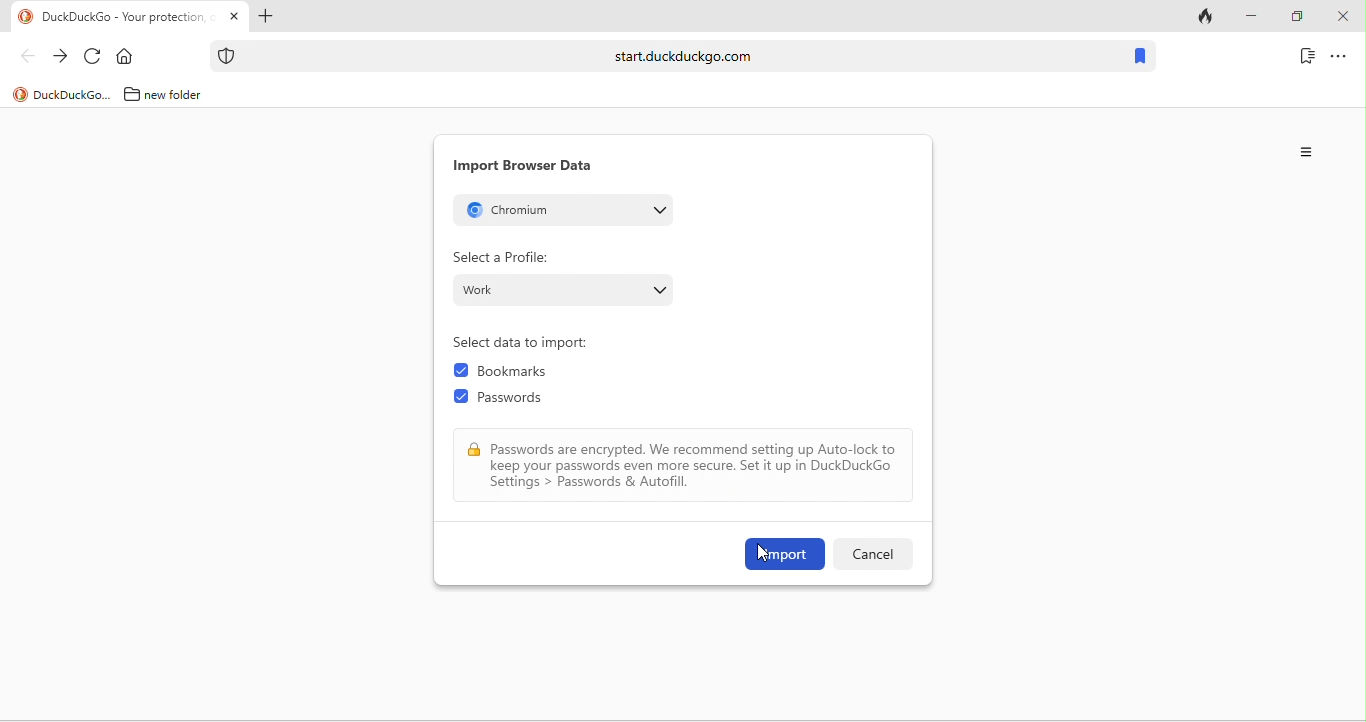 This screenshot has height=722, width=1366. What do you see at coordinates (128, 18) in the screenshot?
I see `DuckDuckGo - Your protection` at bounding box center [128, 18].